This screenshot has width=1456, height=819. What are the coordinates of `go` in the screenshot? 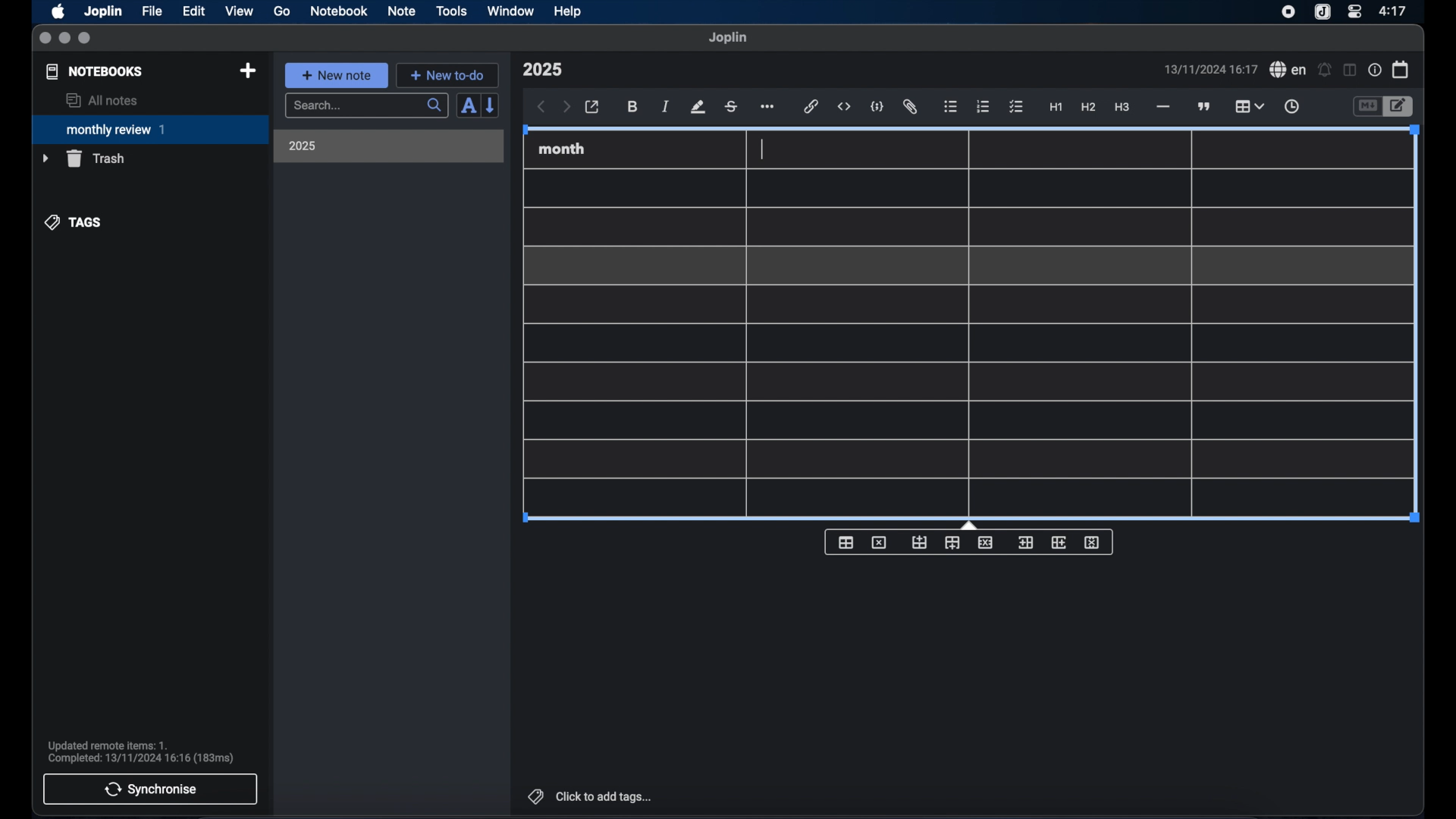 It's located at (282, 11).